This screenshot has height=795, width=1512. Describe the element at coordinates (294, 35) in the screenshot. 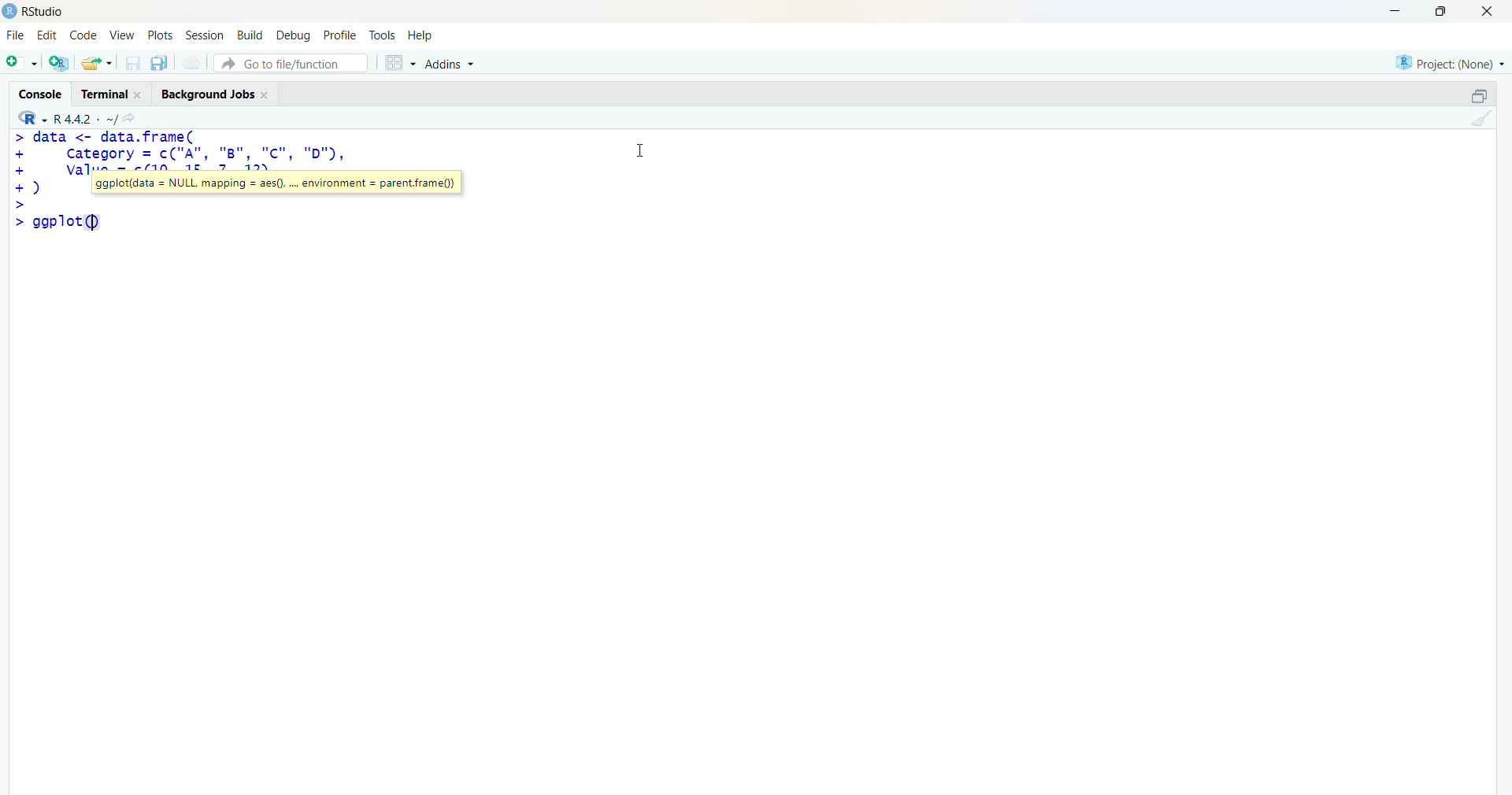

I see `debug` at that location.